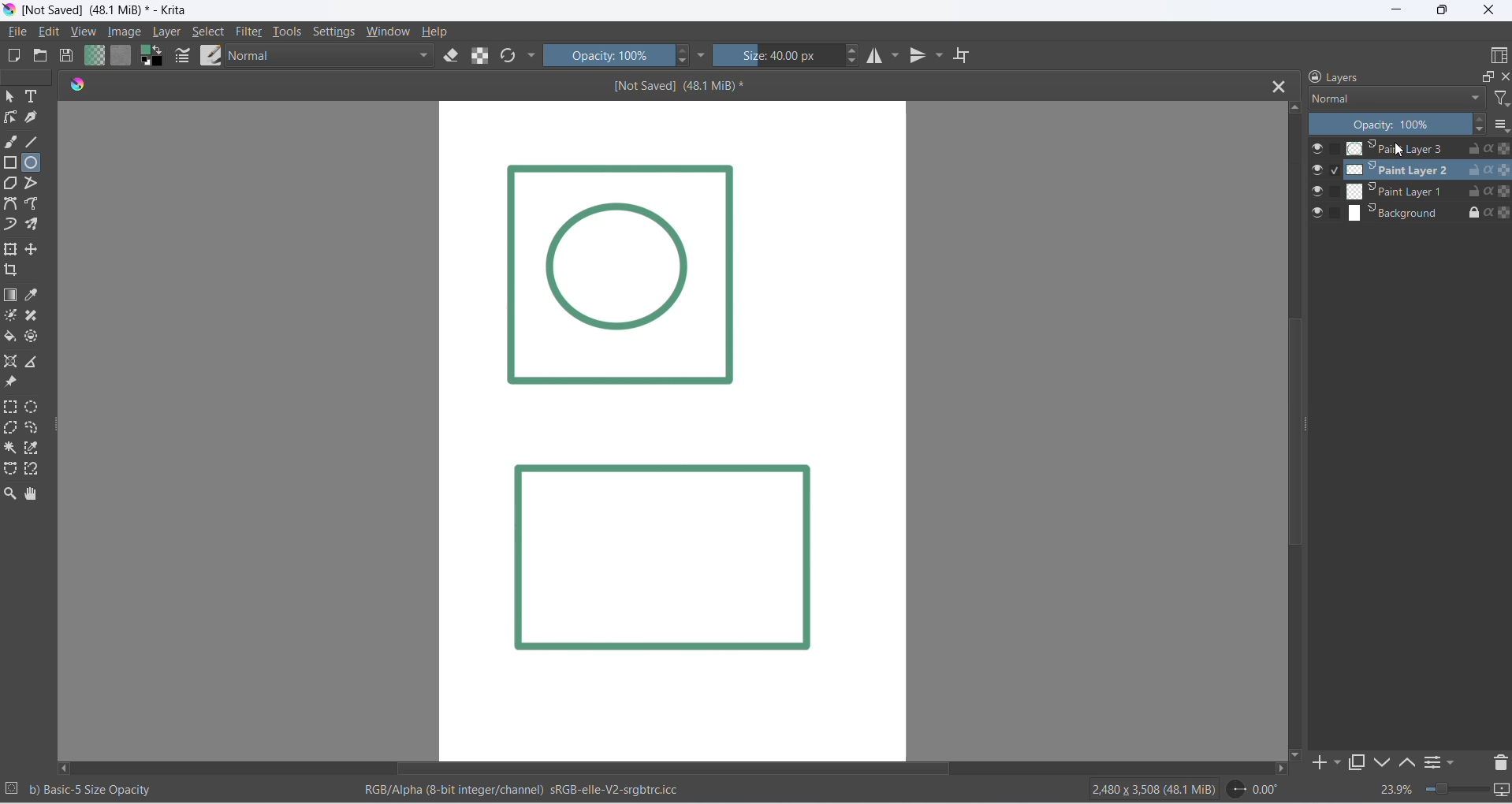 This screenshot has height=804, width=1512. I want to click on preserve alpha, so click(1498, 211).